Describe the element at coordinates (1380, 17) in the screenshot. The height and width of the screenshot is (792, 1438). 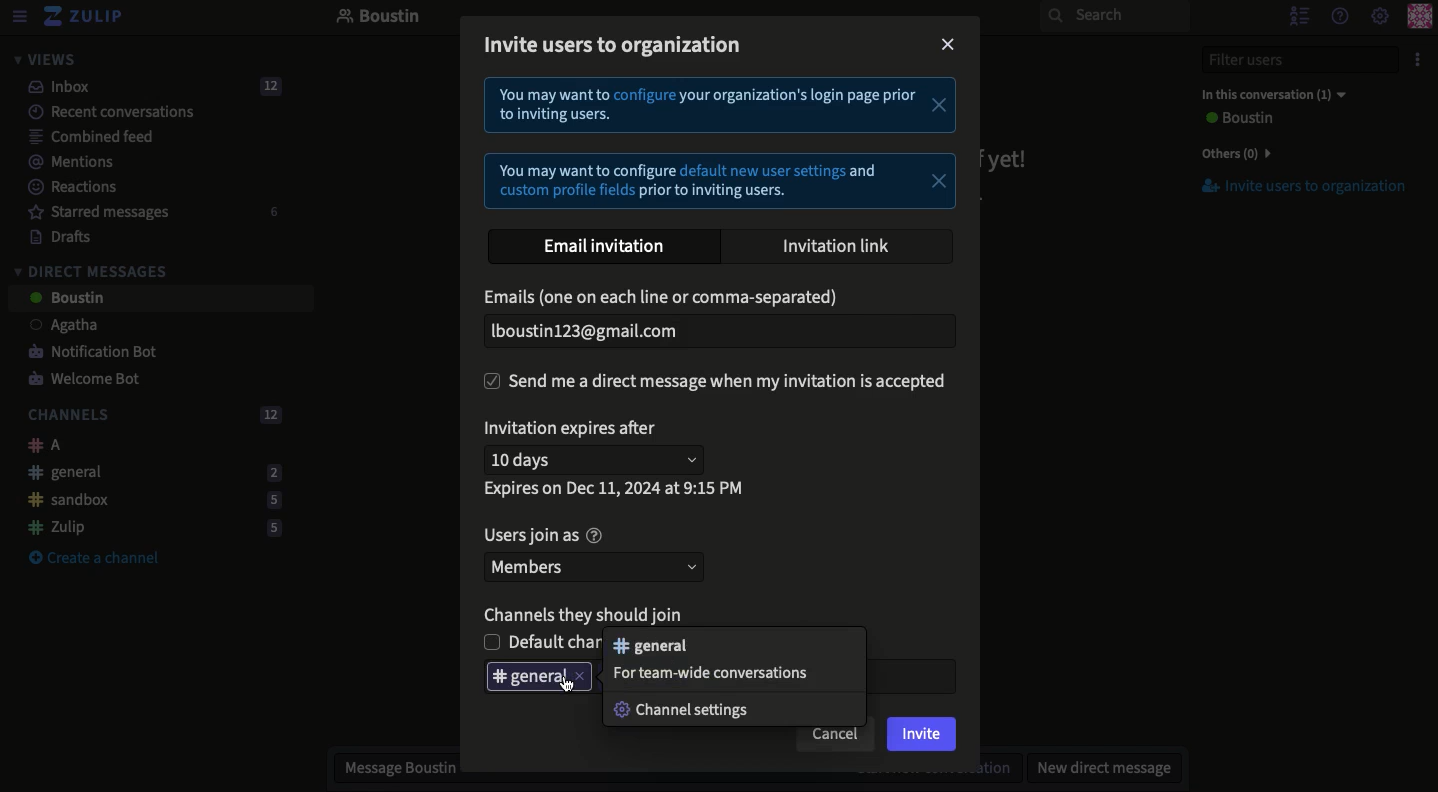
I see `Settings` at that location.